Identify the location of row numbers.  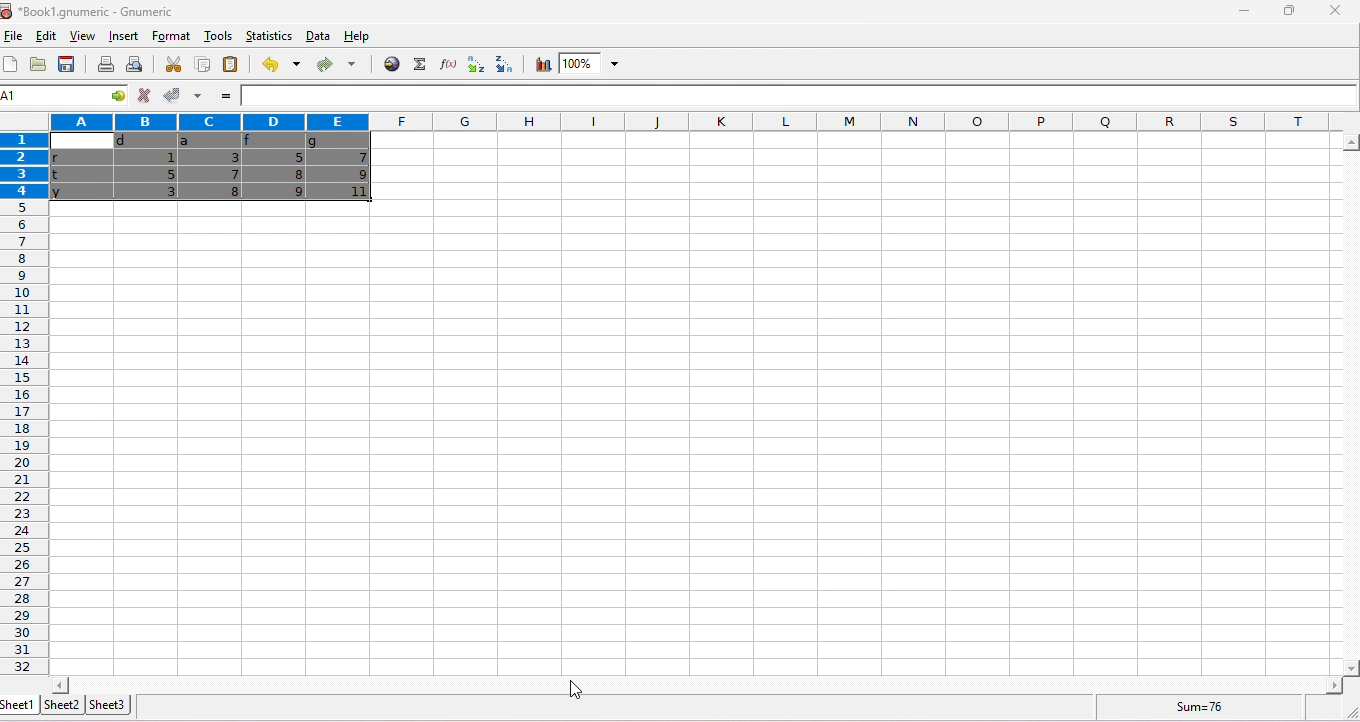
(22, 404).